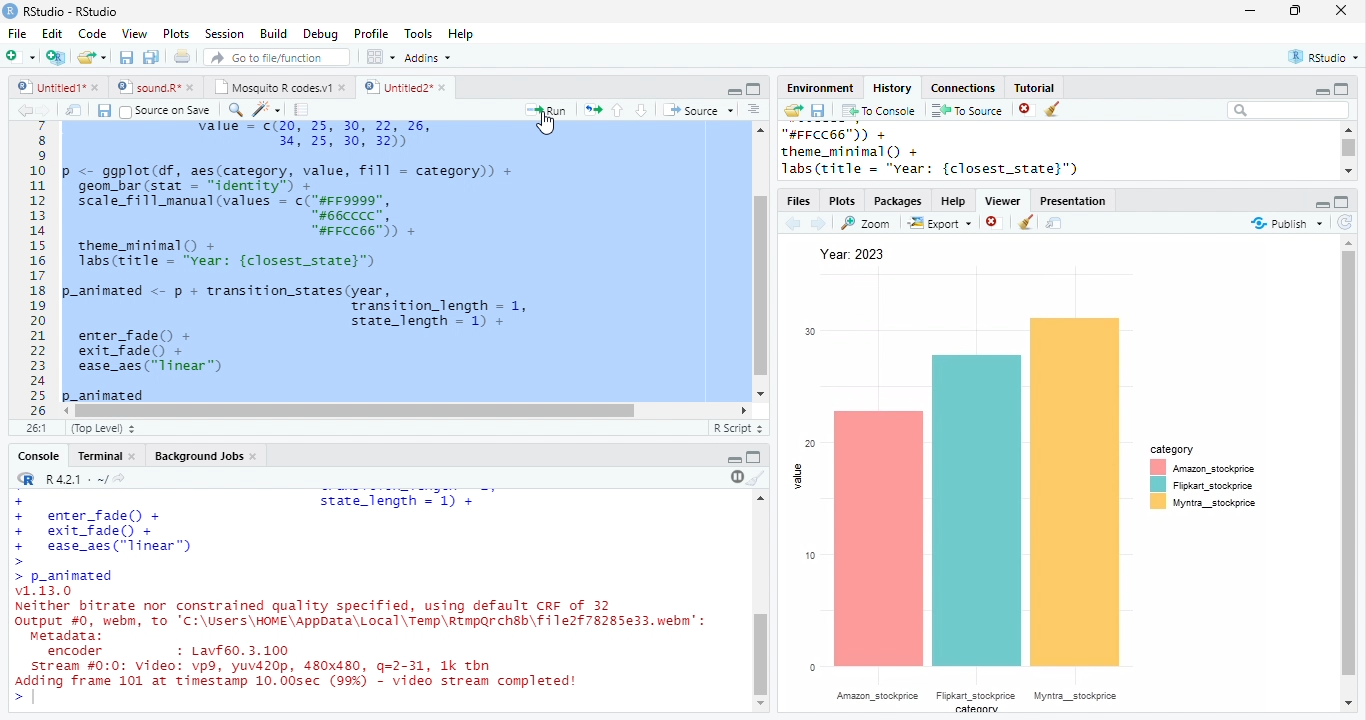  I want to click on "#FFCC66™)) +
theme_minimal () +
Jabs(title = "vear: {closest_state}"), so click(948, 152).